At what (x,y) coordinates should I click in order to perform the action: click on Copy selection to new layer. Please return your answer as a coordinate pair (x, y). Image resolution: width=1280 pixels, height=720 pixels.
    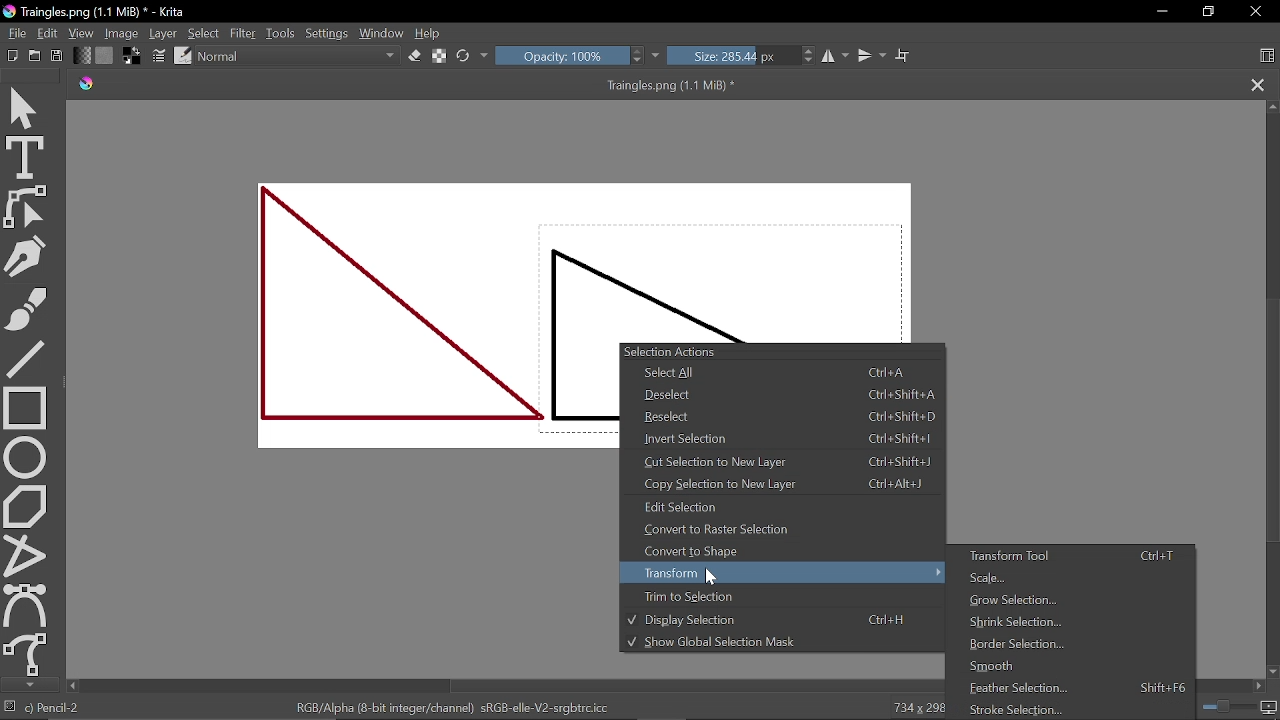
    Looking at the image, I should click on (785, 484).